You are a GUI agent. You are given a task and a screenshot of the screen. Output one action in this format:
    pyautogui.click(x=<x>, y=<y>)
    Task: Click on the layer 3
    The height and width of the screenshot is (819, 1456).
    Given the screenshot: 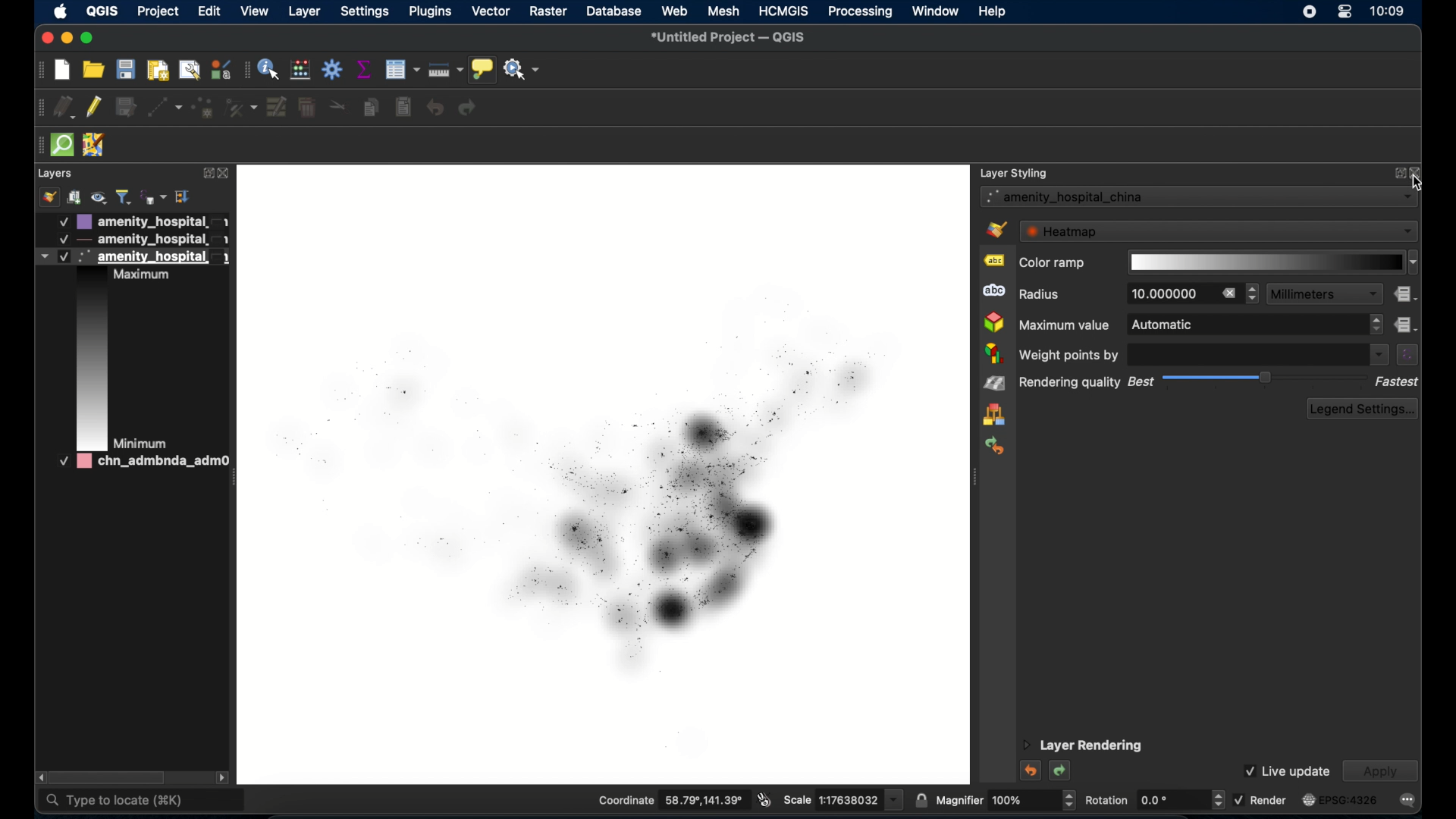 What is the action you would take?
    pyautogui.click(x=130, y=256)
    